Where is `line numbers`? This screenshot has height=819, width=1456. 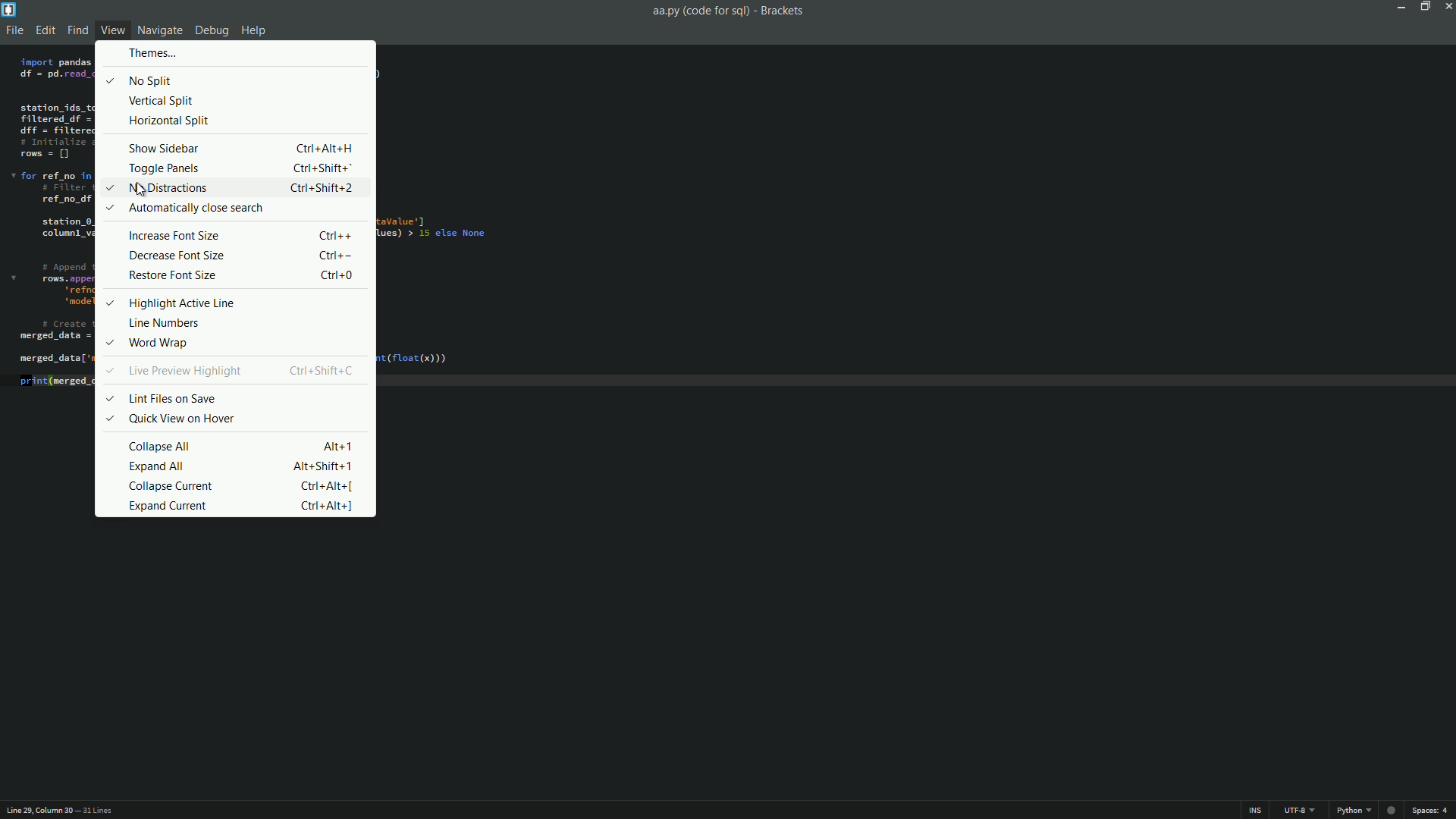 line numbers is located at coordinates (175, 322).